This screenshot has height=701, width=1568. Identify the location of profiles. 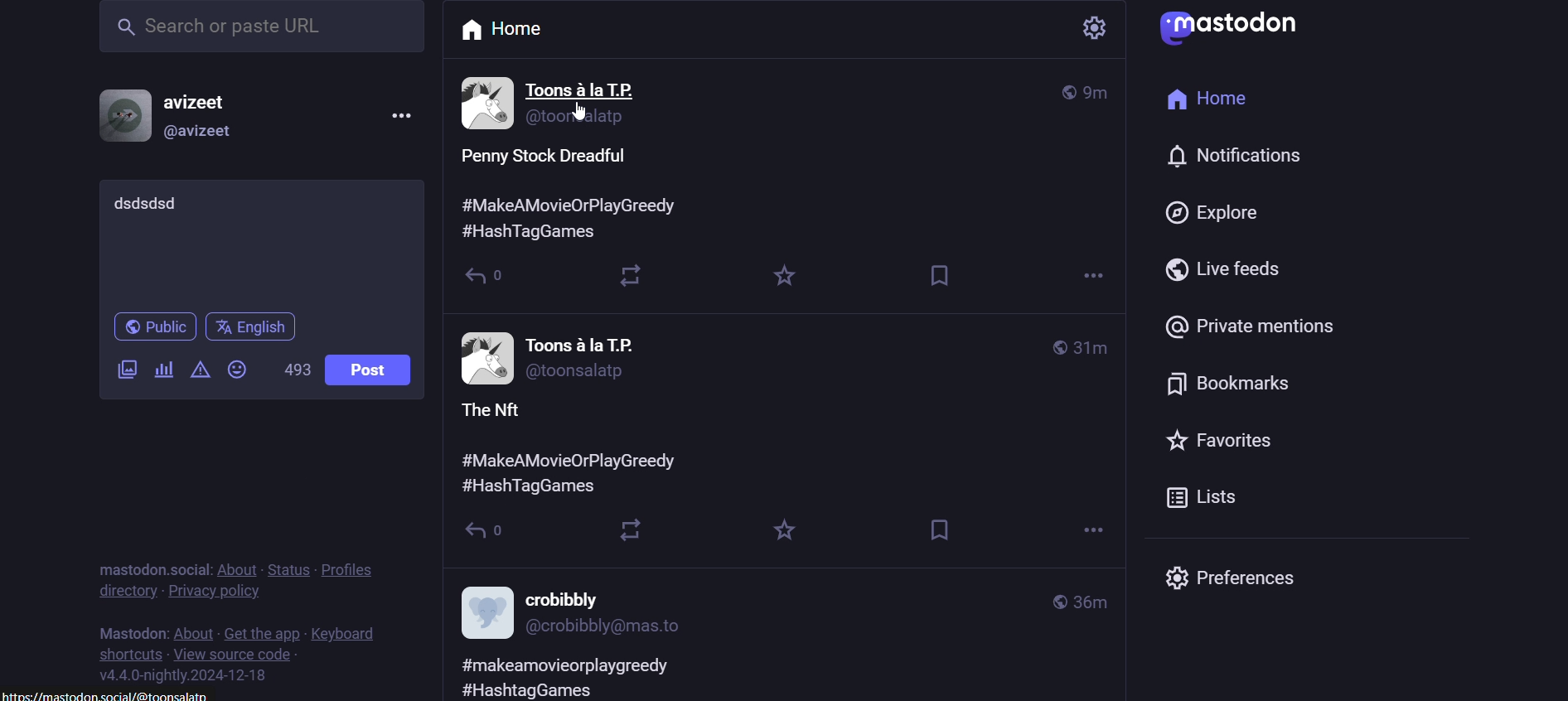
(346, 565).